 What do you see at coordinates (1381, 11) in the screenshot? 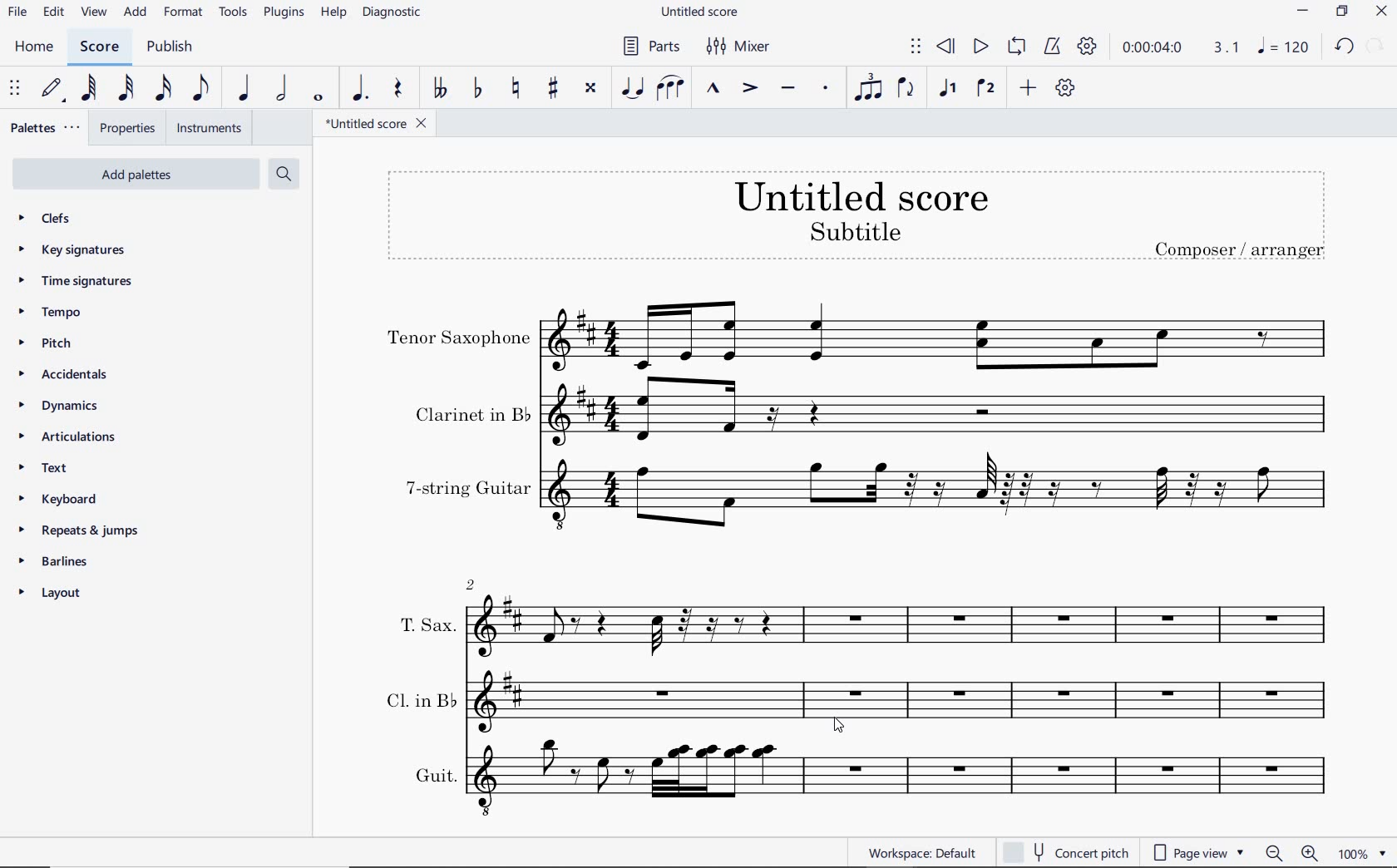
I see `CLOSE` at bounding box center [1381, 11].